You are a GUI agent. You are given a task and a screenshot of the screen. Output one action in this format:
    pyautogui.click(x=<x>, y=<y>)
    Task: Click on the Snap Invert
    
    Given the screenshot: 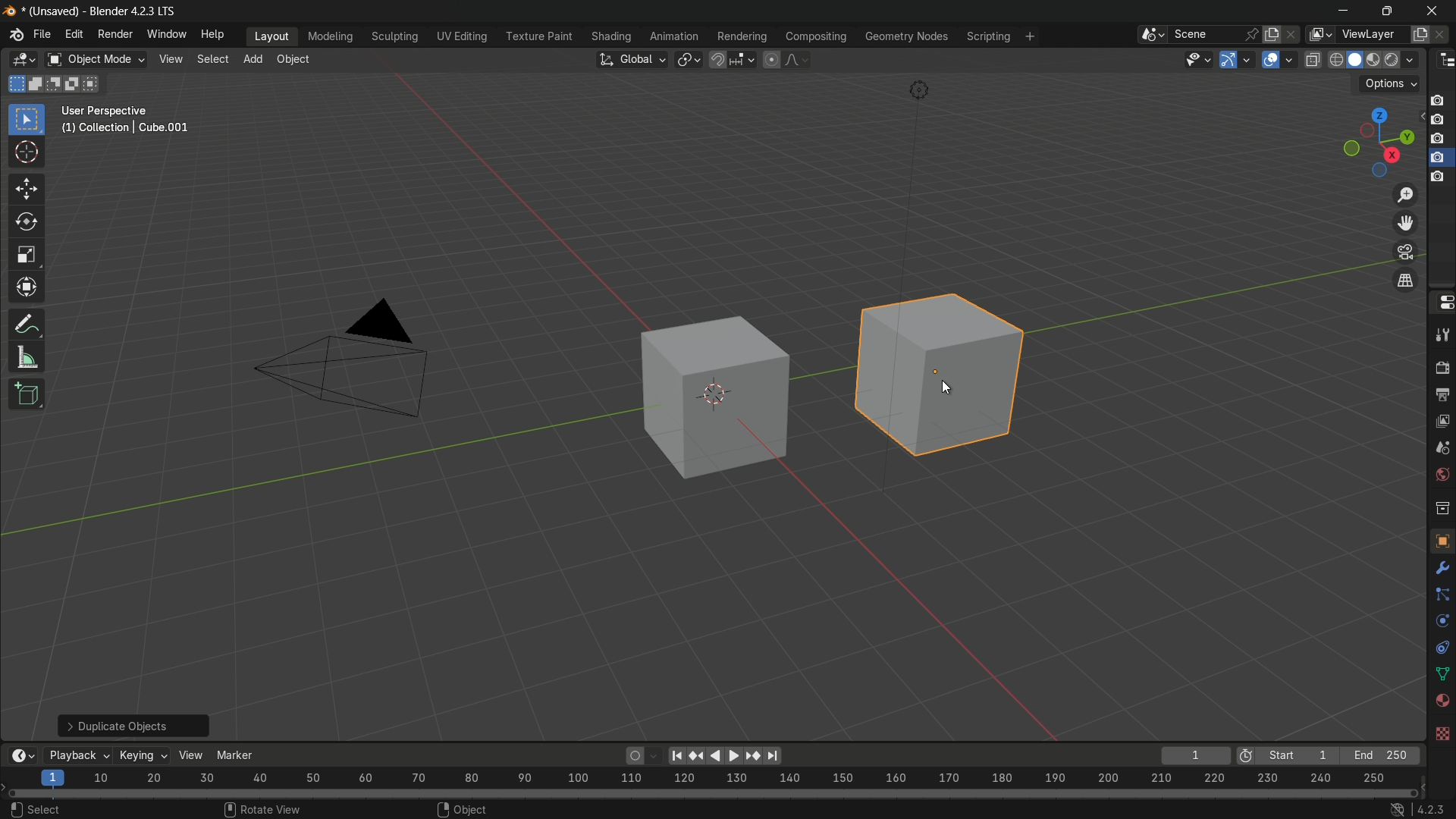 What is the action you would take?
    pyautogui.click(x=482, y=809)
    